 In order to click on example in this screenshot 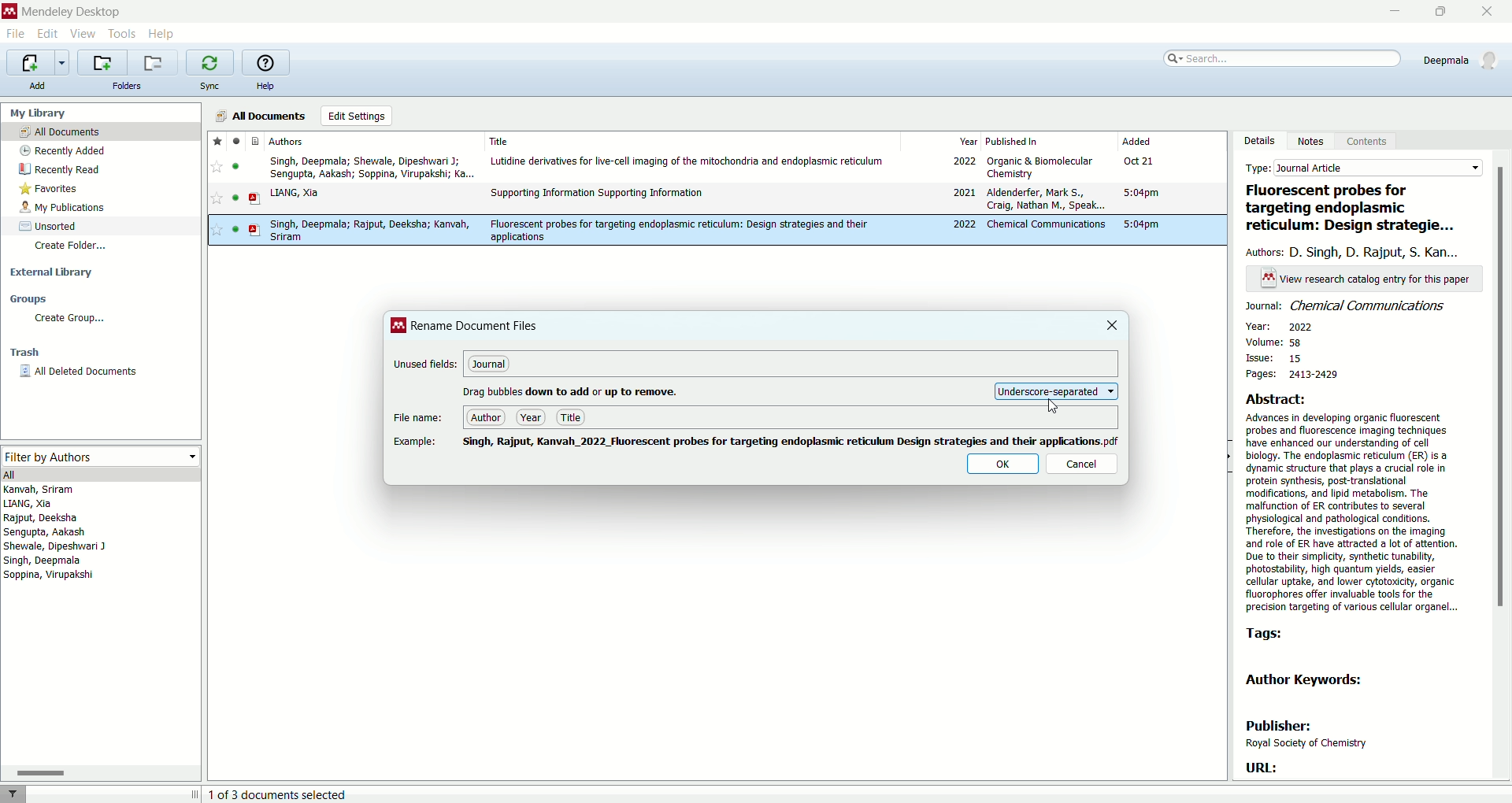, I will do `click(418, 442)`.